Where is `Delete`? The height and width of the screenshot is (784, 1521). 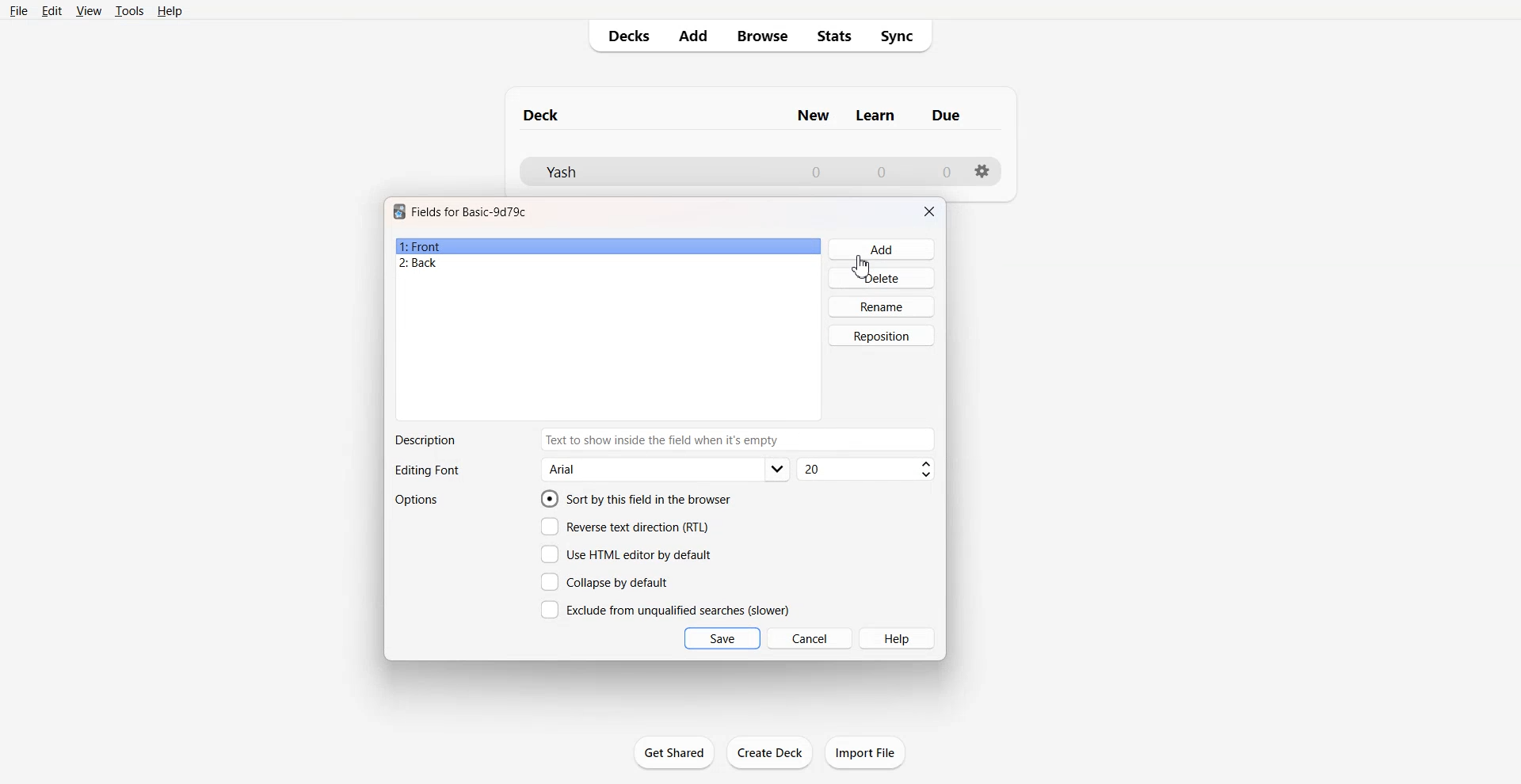
Delete is located at coordinates (882, 277).